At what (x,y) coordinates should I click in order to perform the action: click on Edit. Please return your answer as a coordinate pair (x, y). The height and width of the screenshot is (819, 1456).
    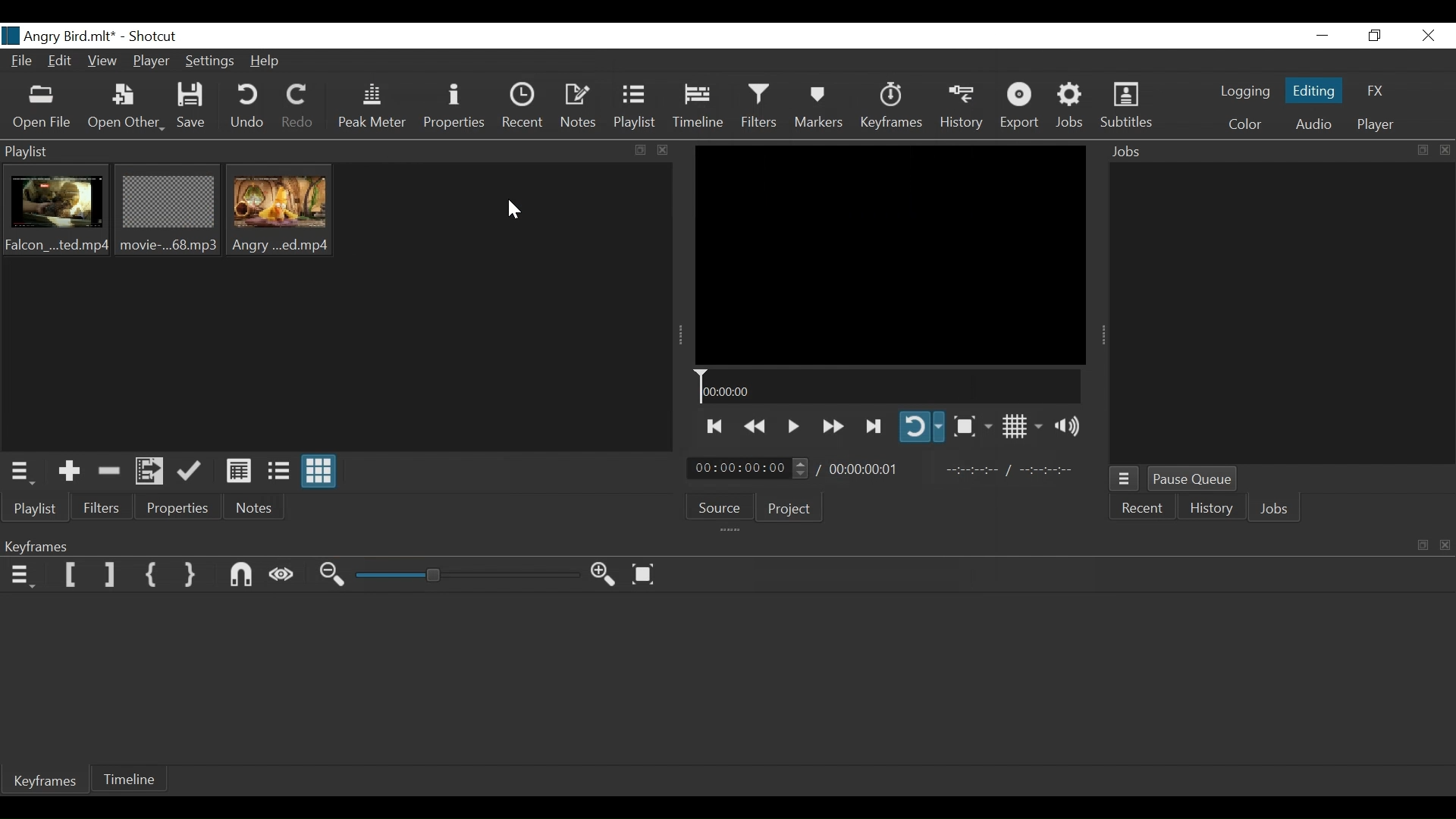
    Looking at the image, I should click on (62, 63).